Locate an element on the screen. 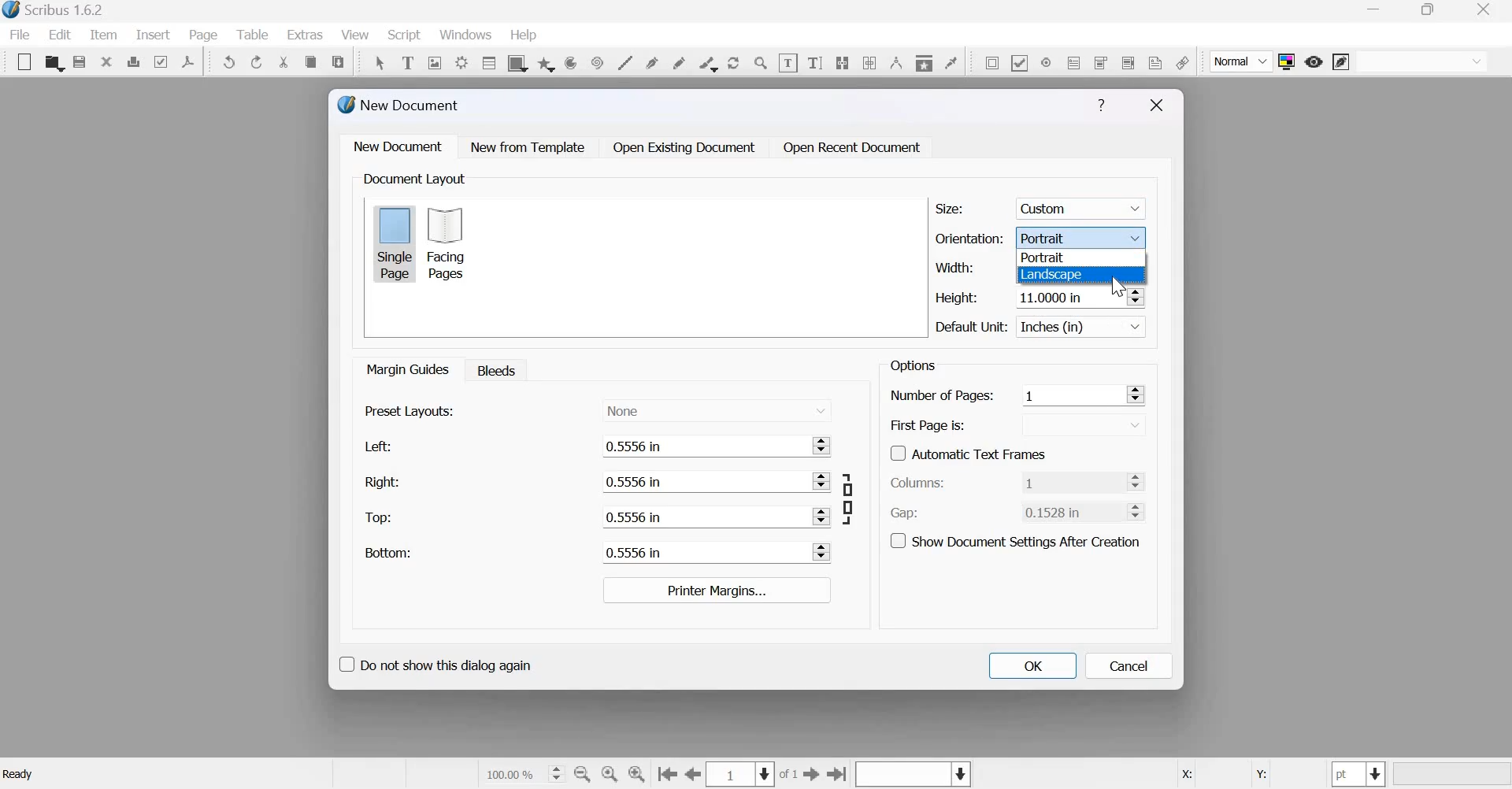  Image frame is located at coordinates (435, 61).